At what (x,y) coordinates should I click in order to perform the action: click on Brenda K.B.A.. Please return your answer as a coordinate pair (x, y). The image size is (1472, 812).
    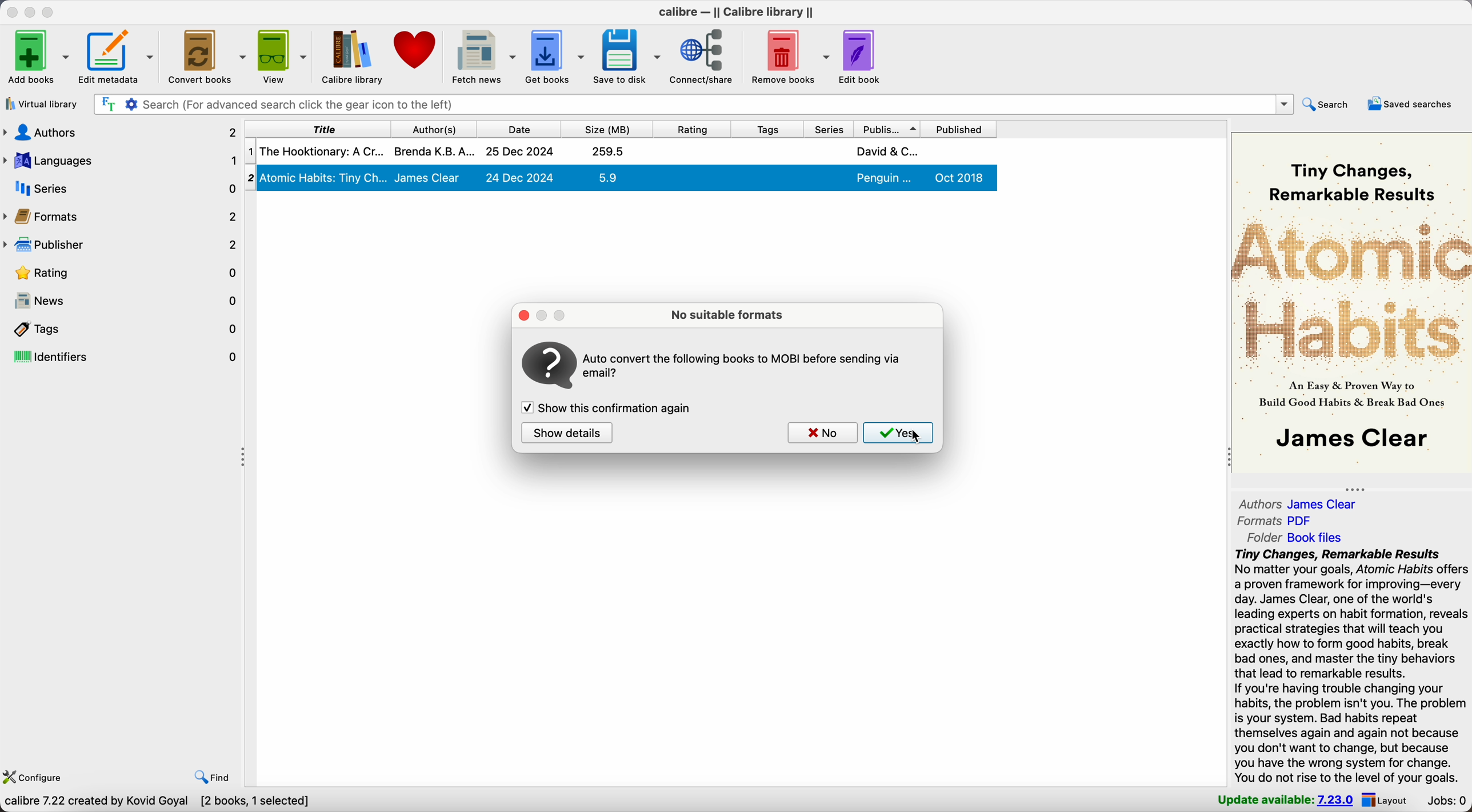
    Looking at the image, I should click on (434, 150).